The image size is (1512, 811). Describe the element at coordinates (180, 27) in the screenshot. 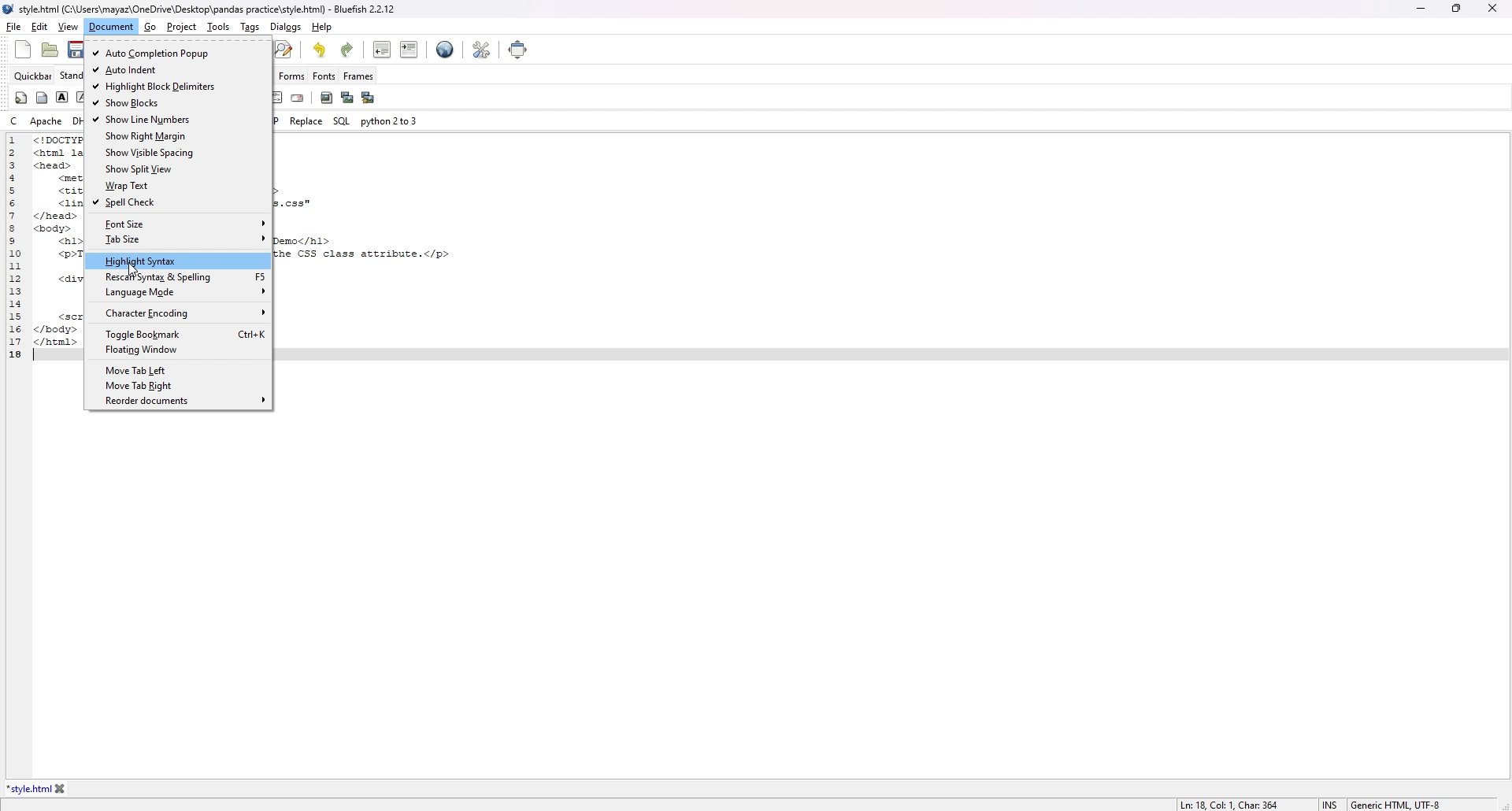

I see `project` at that location.